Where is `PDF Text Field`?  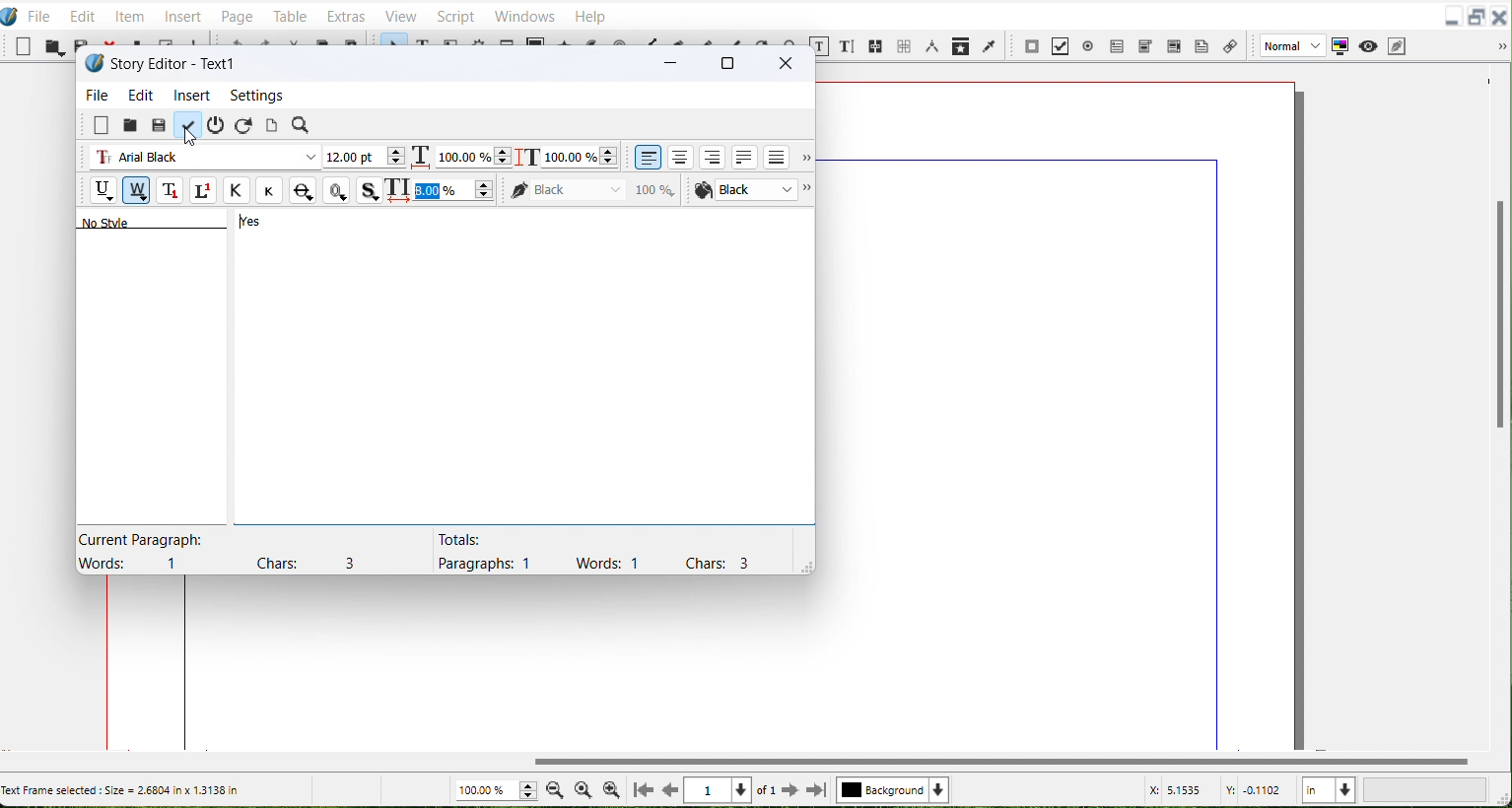
PDF Text Field is located at coordinates (1118, 43).